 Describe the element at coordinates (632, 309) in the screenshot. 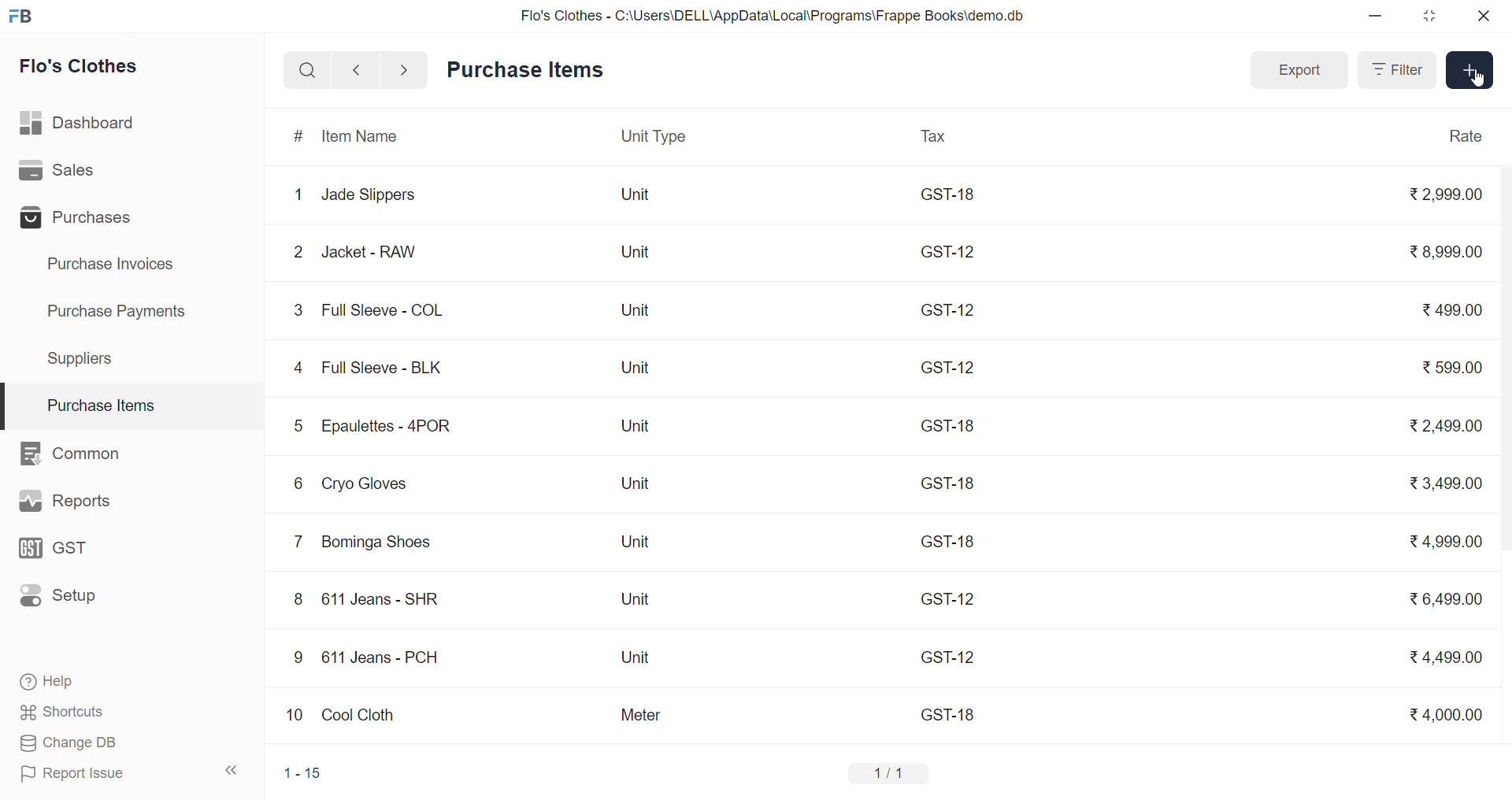

I see `Unit` at that location.